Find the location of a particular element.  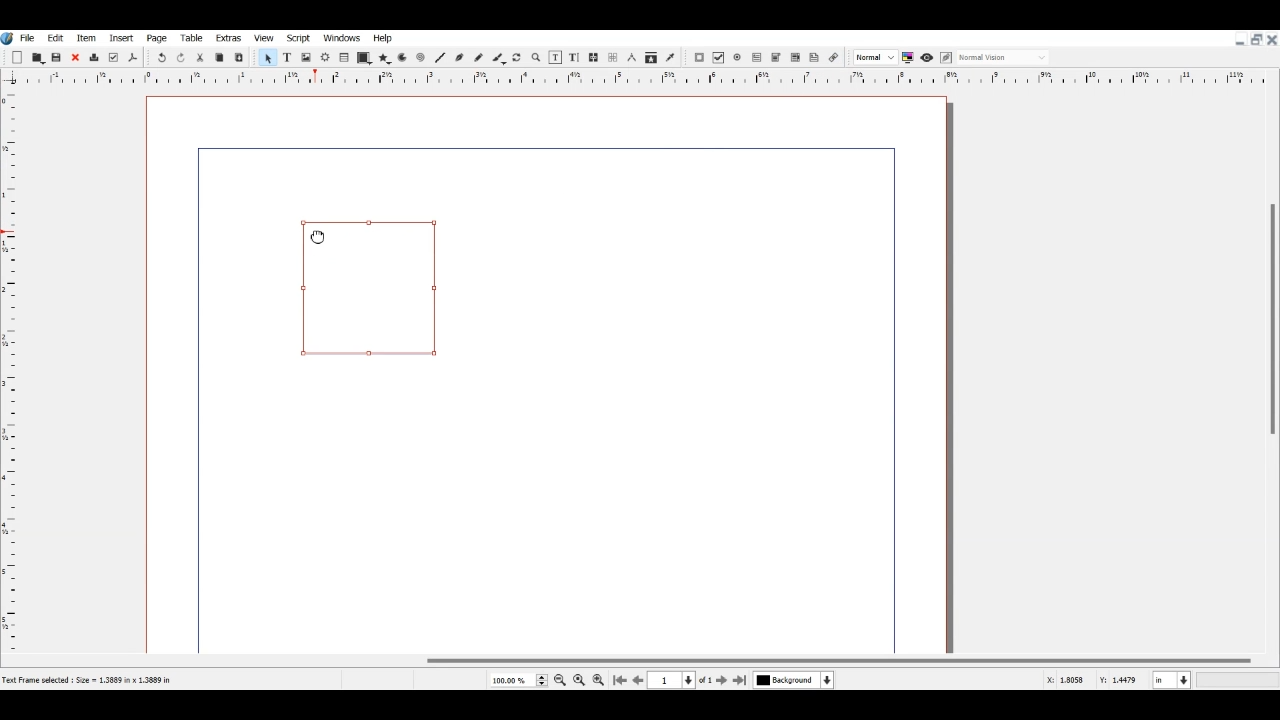

Link Annotation is located at coordinates (833, 56).